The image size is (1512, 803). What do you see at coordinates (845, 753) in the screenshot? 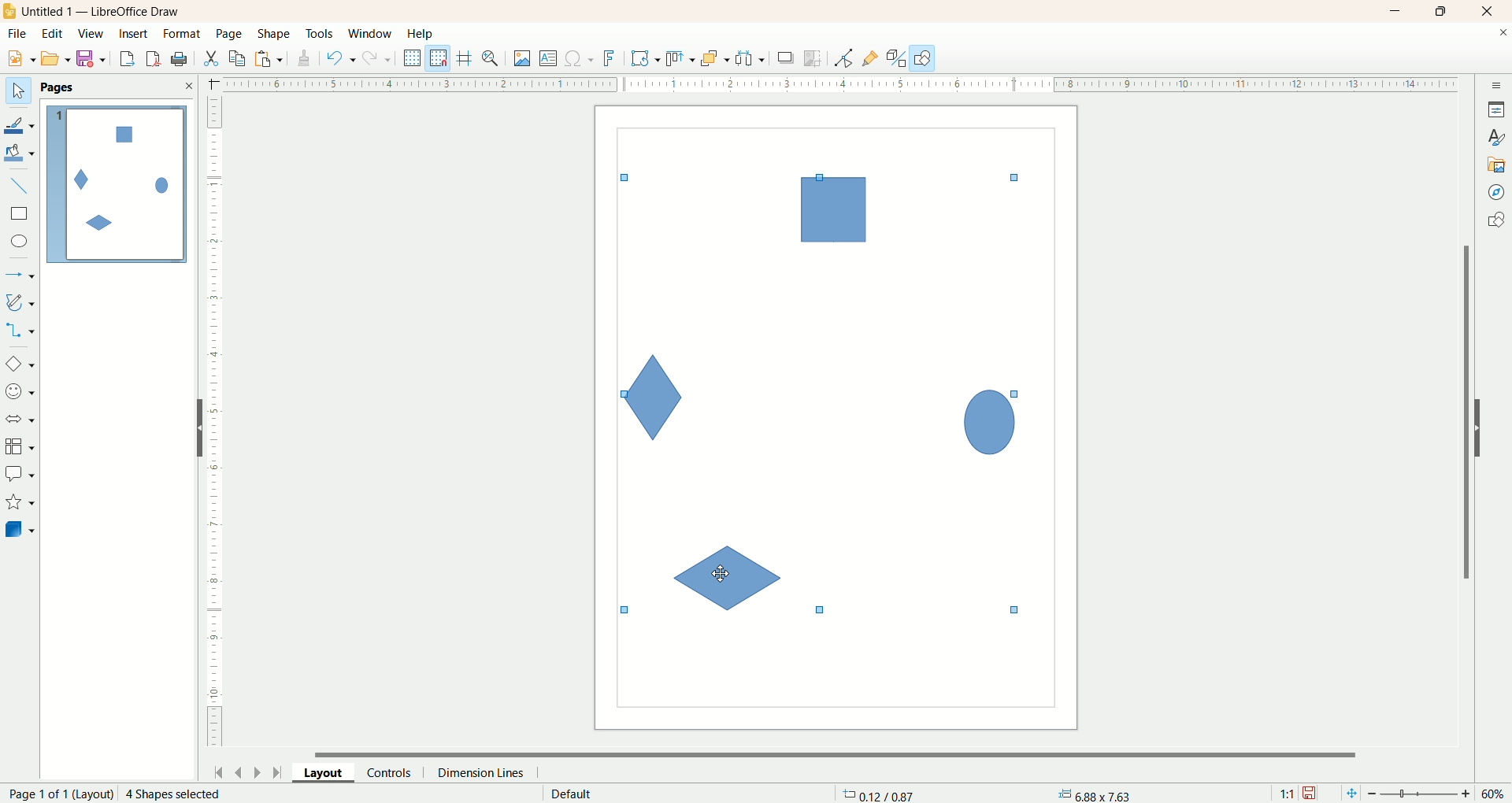
I see `horizontal scroll bar` at bounding box center [845, 753].